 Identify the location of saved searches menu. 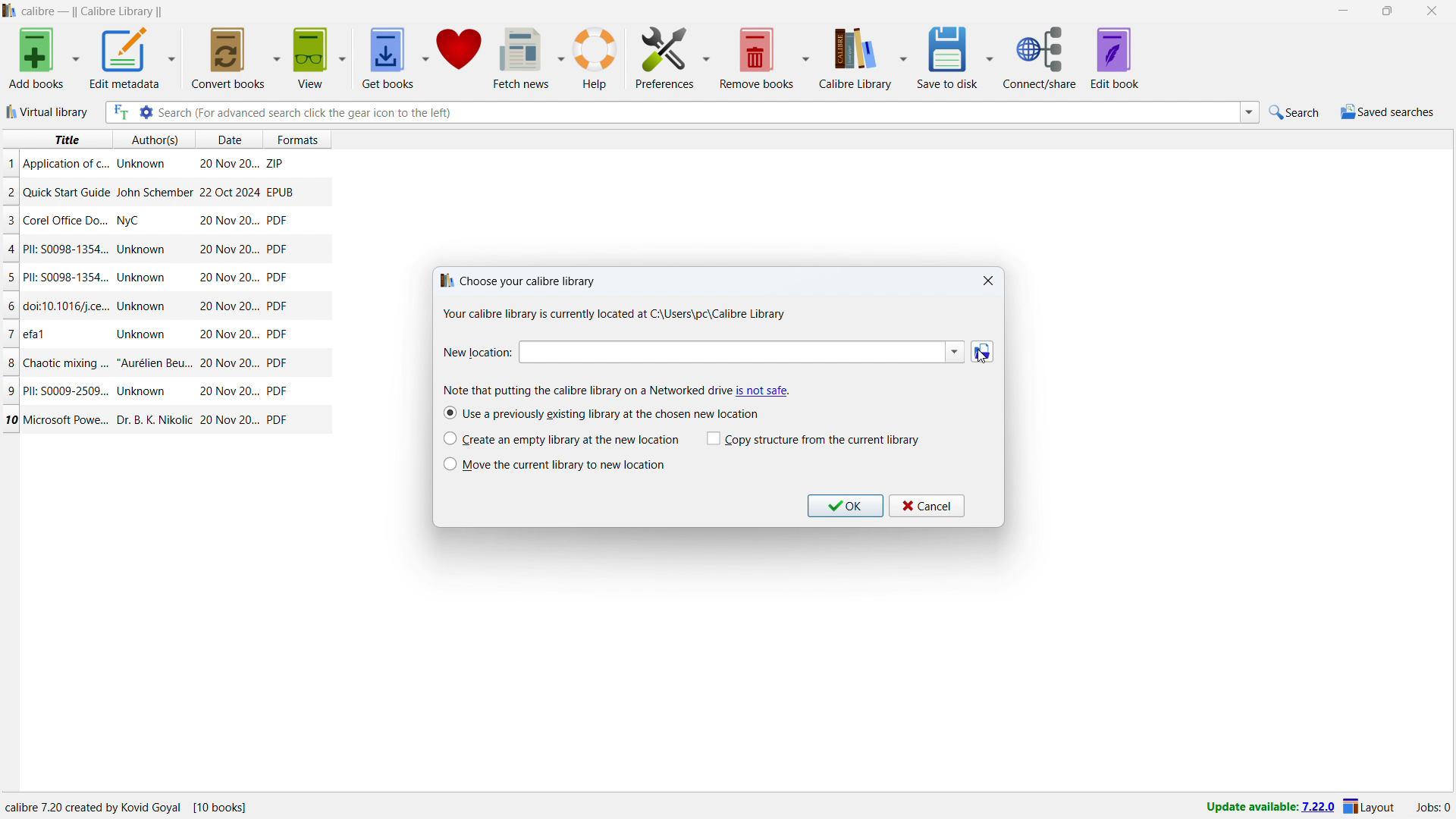
(1387, 112).